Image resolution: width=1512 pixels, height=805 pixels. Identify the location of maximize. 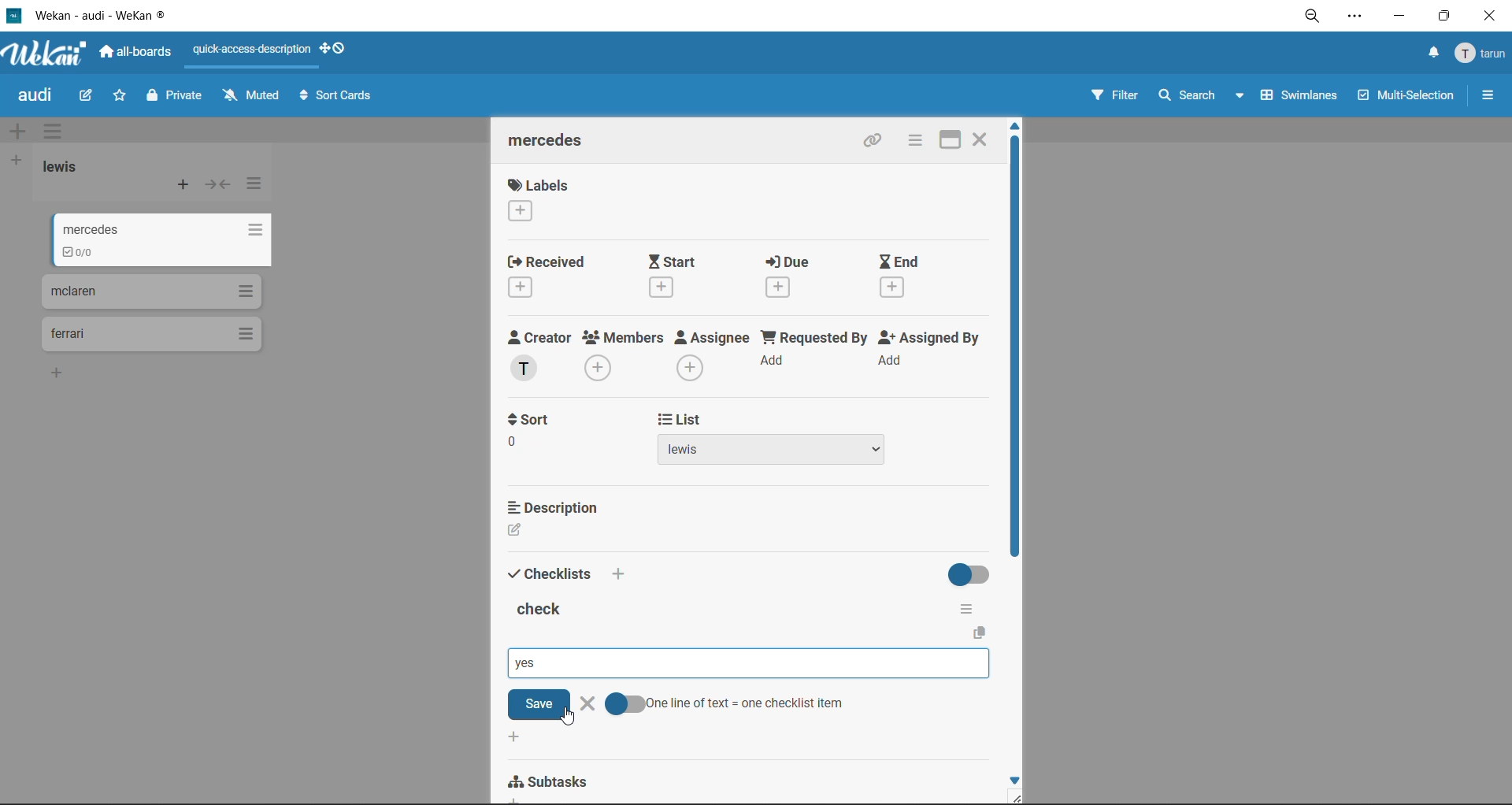
(1440, 20).